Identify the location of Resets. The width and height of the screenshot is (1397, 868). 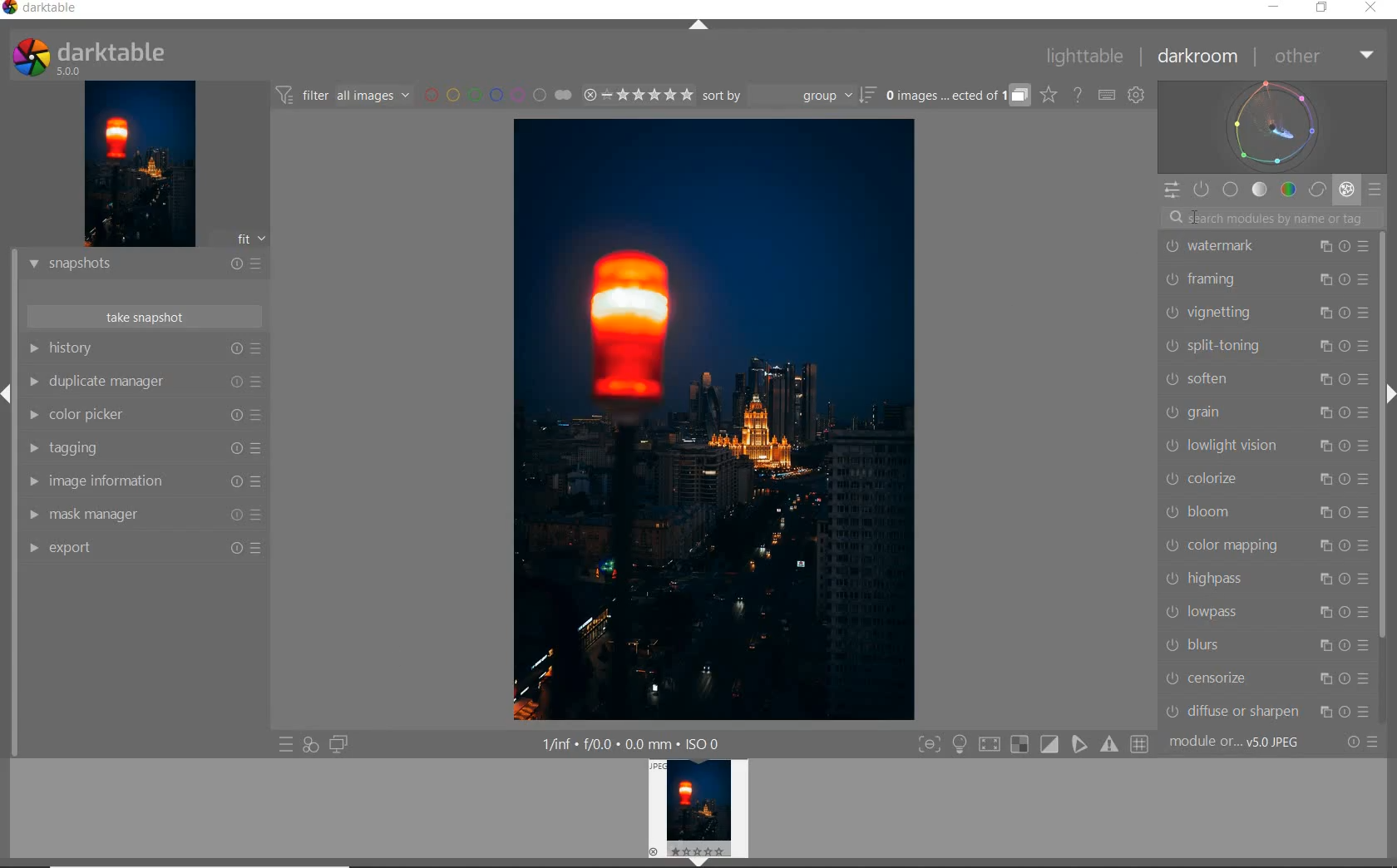
(235, 260).